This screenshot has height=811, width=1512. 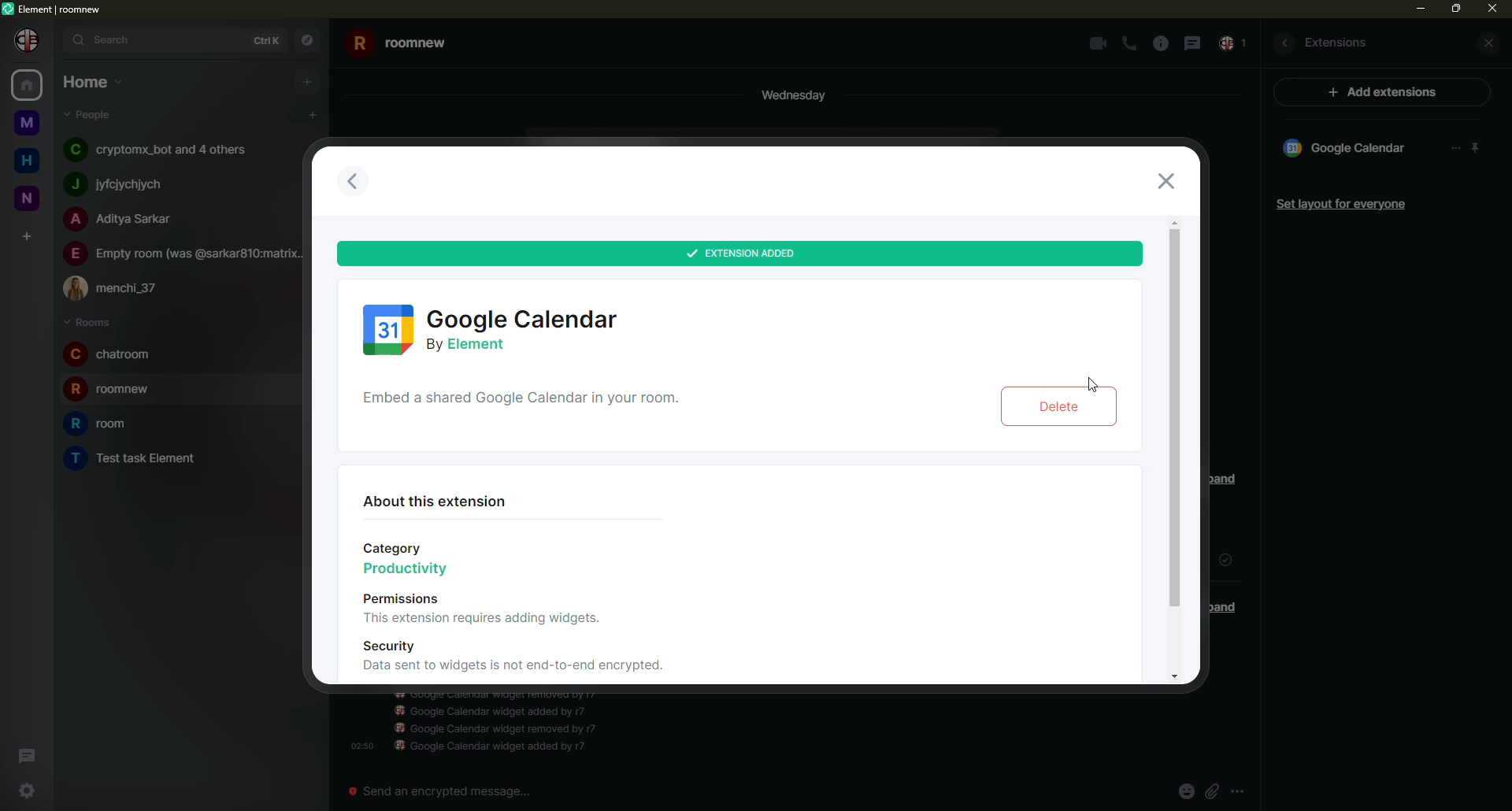 I want to click on min, so click(x=1415, y=9).